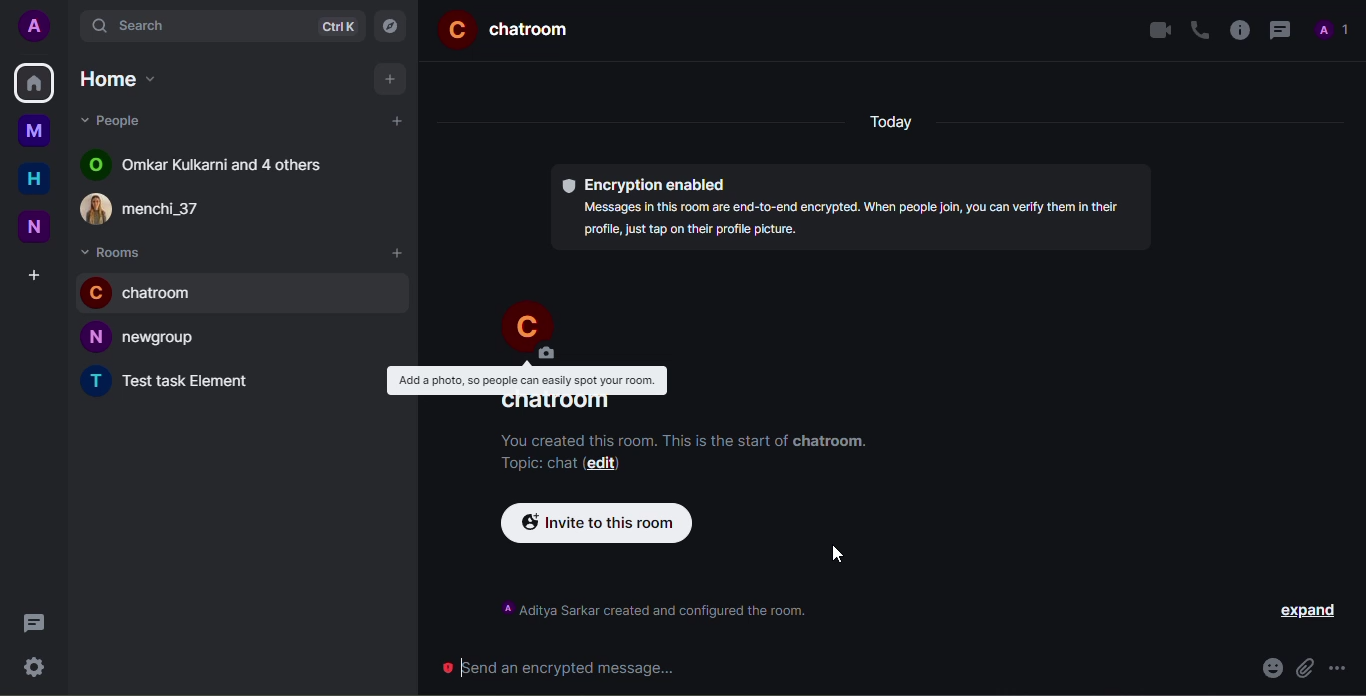 Image resolution: width=1366 pixels, height=696 pixels. I want to click on add, so click(397, 121).